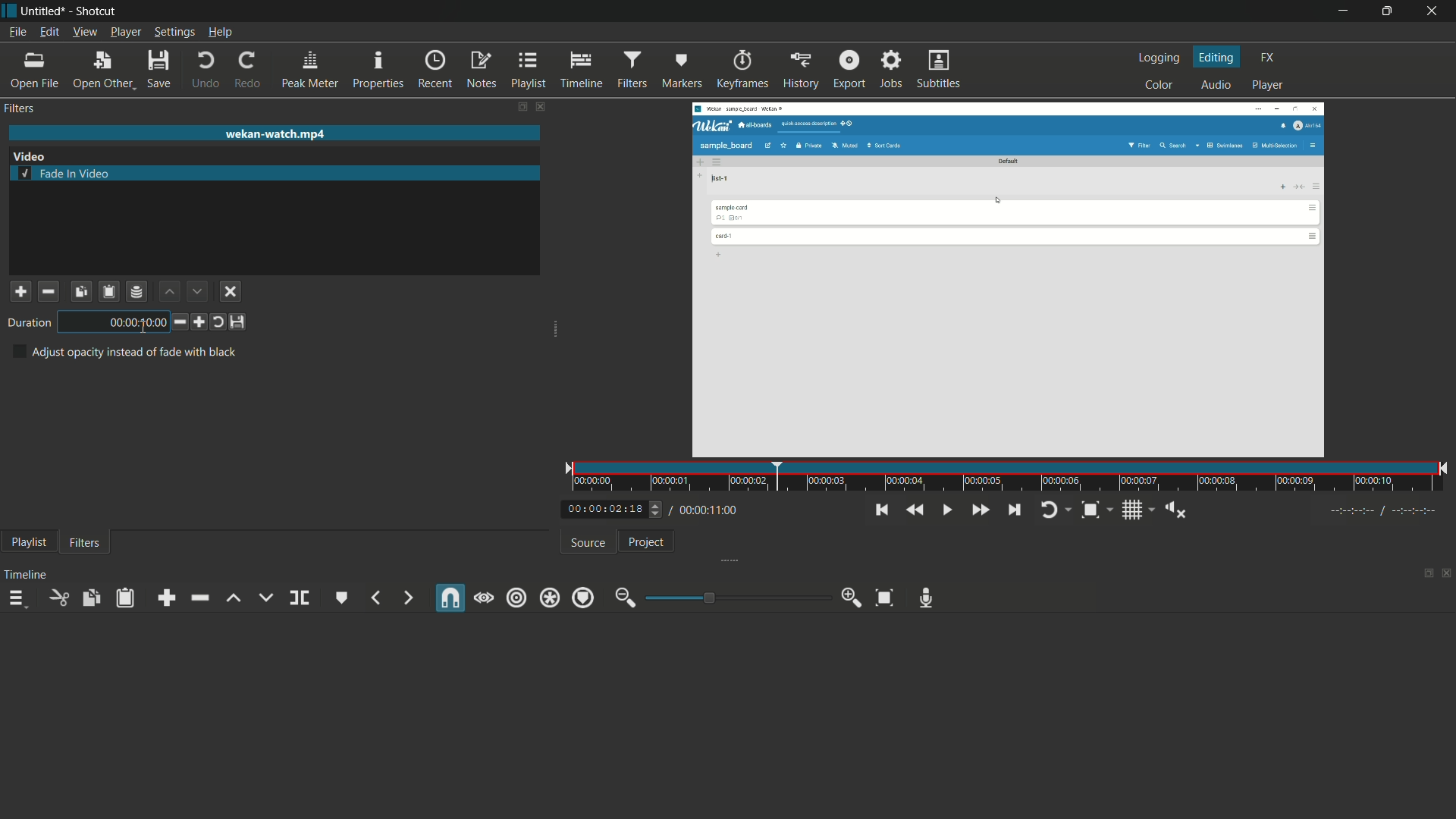 The height and width of the screenshot is (819, 1456). What do you see at coordinates (124, 352) in the screenshot?
I see `text` at bounding box center [124, 352].